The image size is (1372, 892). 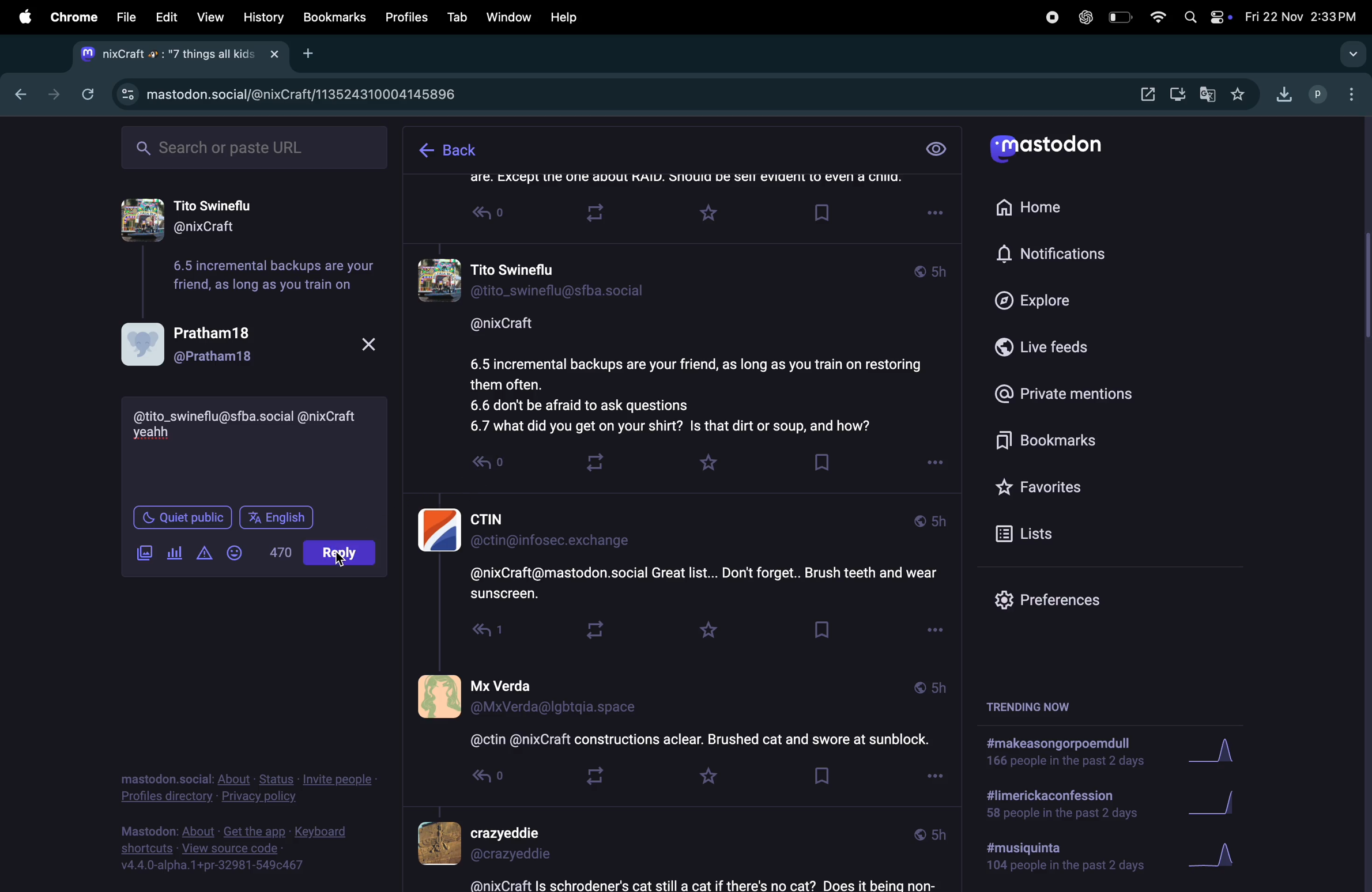 What do you see at coordinates (712, 214) in the screenshot?
I see `Favourite` at bounding box center [712, 214].